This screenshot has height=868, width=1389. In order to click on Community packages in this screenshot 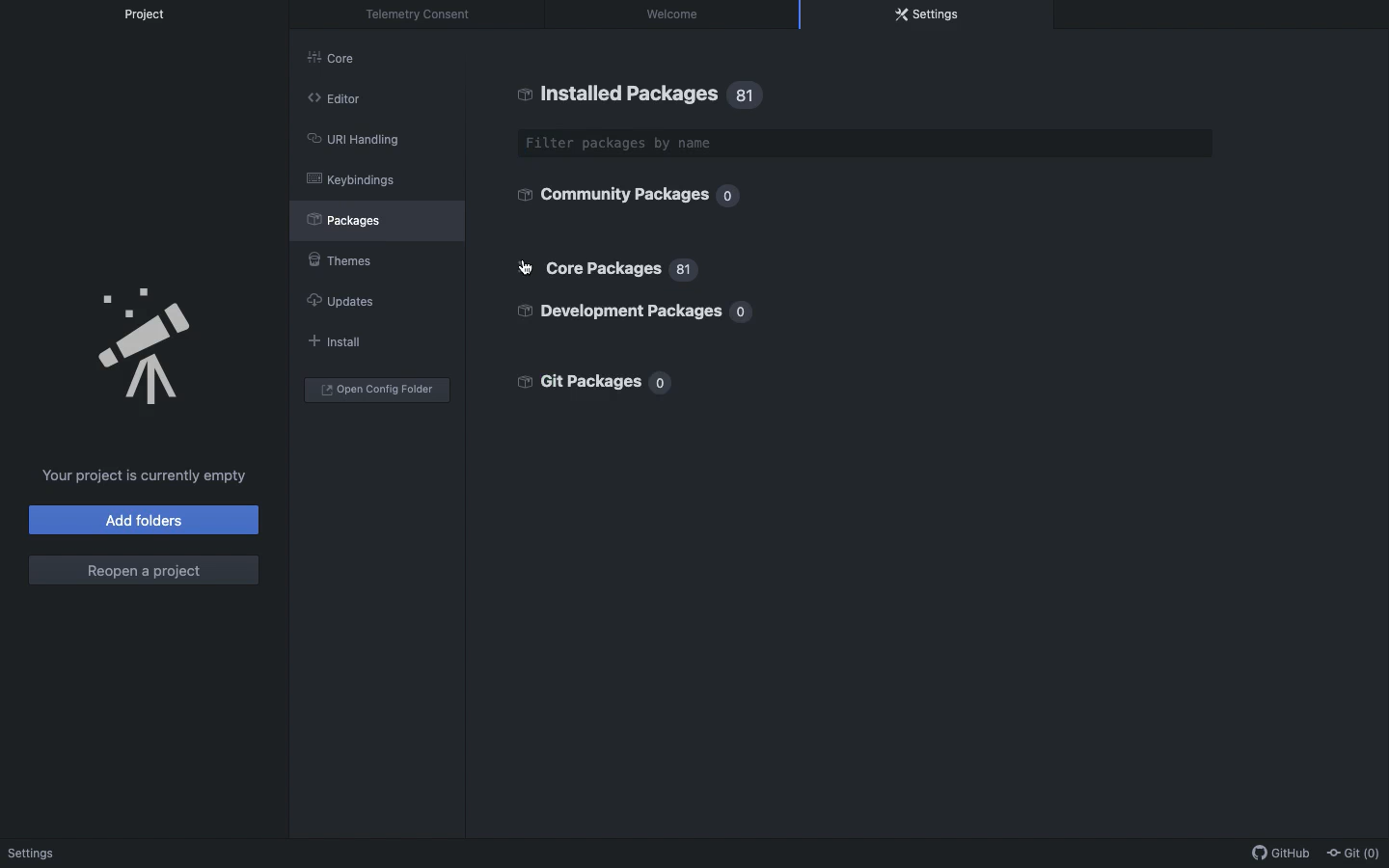, I will do `click(610, 194)`.